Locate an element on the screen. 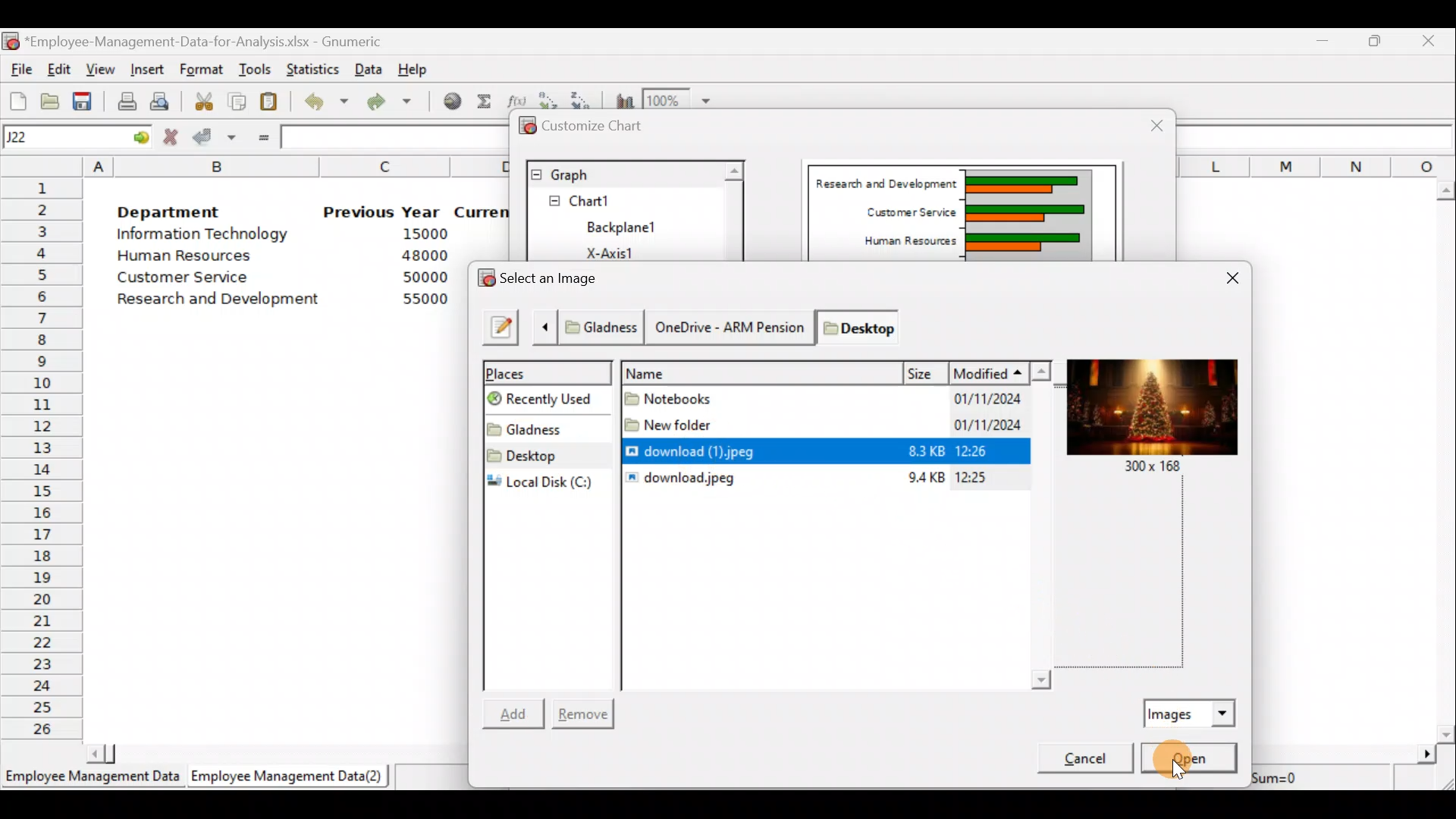  Undo last action is located at coordinates (328, 105).